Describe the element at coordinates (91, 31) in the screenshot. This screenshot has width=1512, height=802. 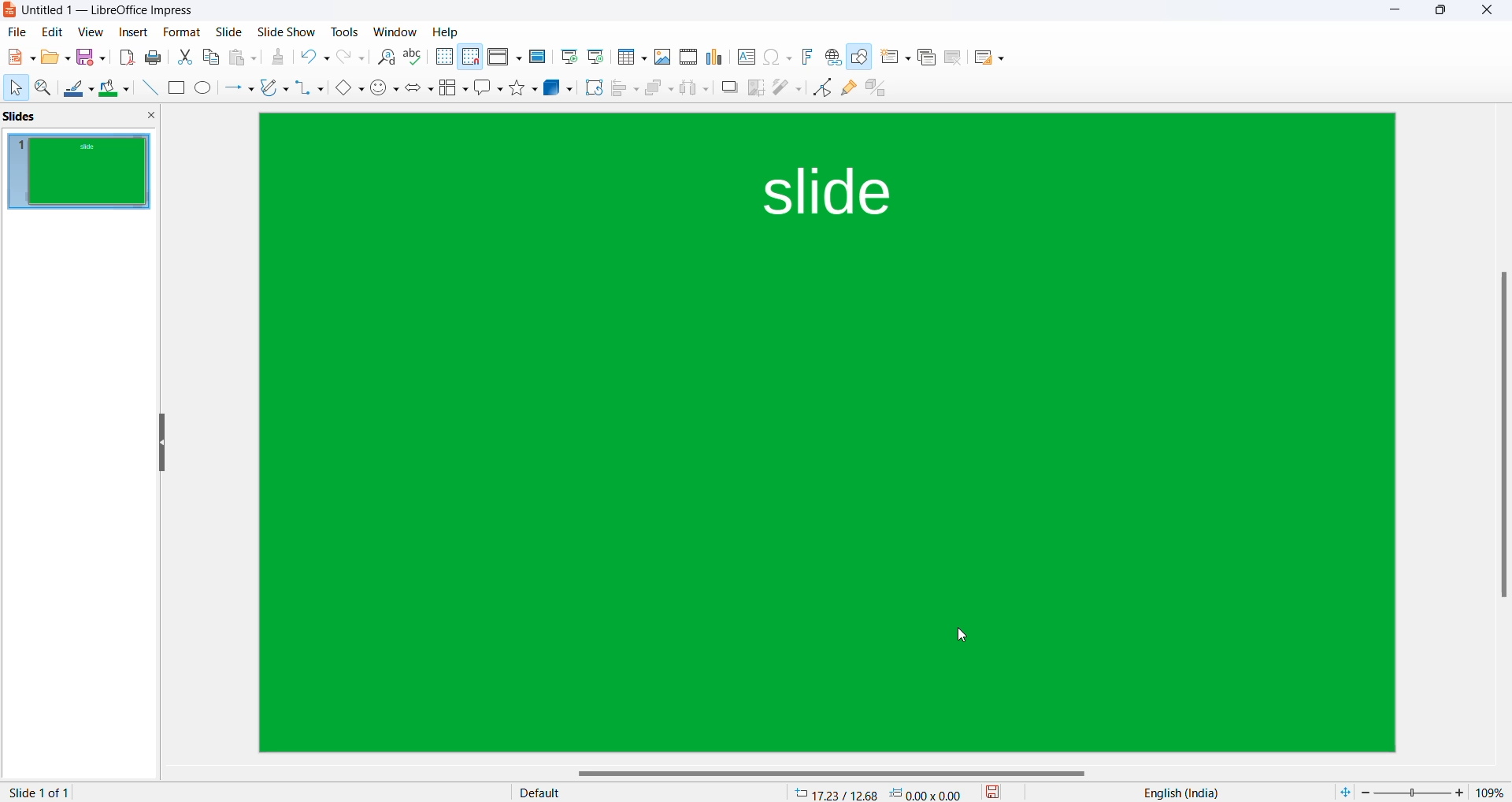
I see `view navigation` at that location.